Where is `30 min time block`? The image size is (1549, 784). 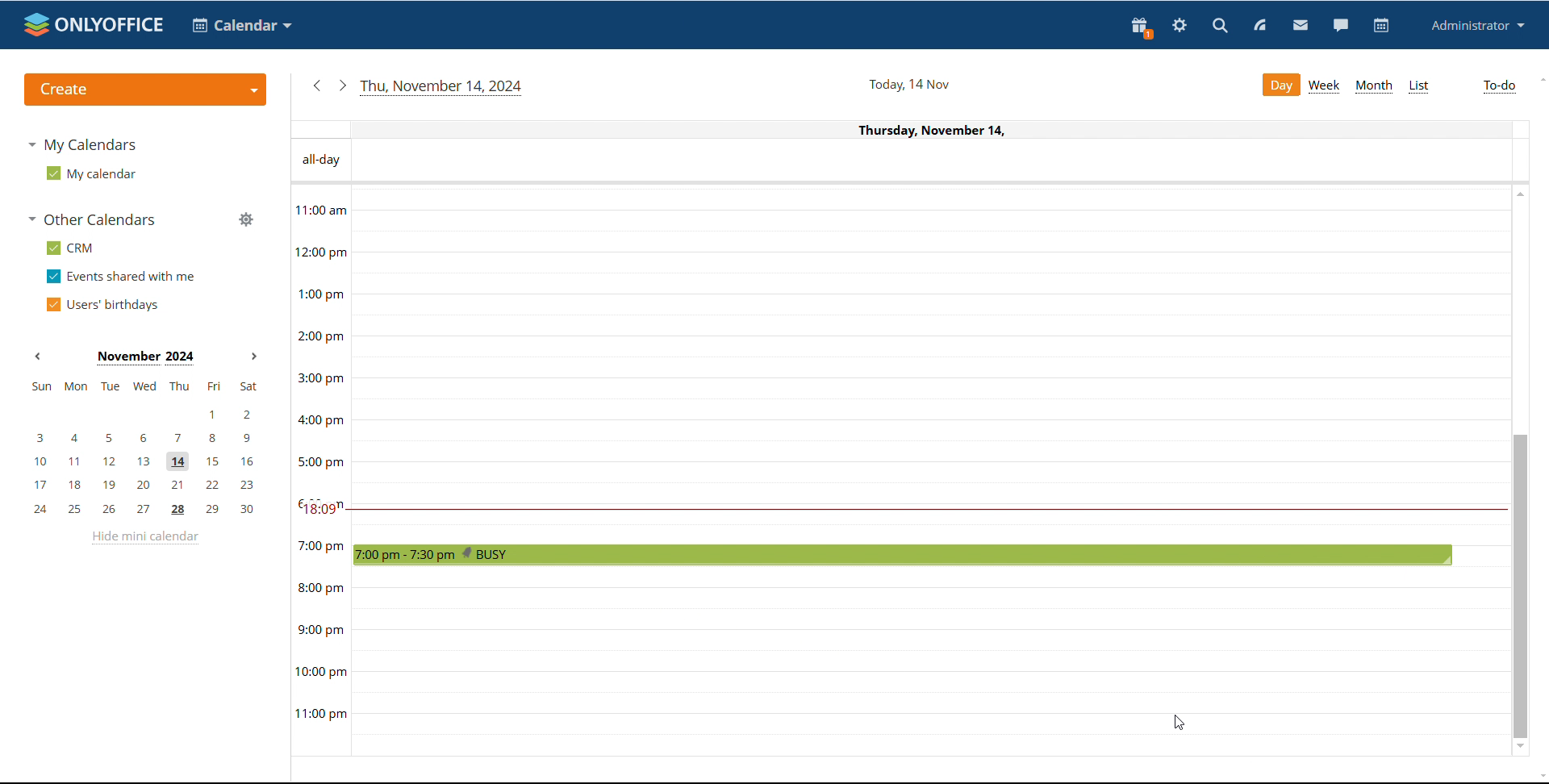
30 min time block is located at coordinates (931, 221).